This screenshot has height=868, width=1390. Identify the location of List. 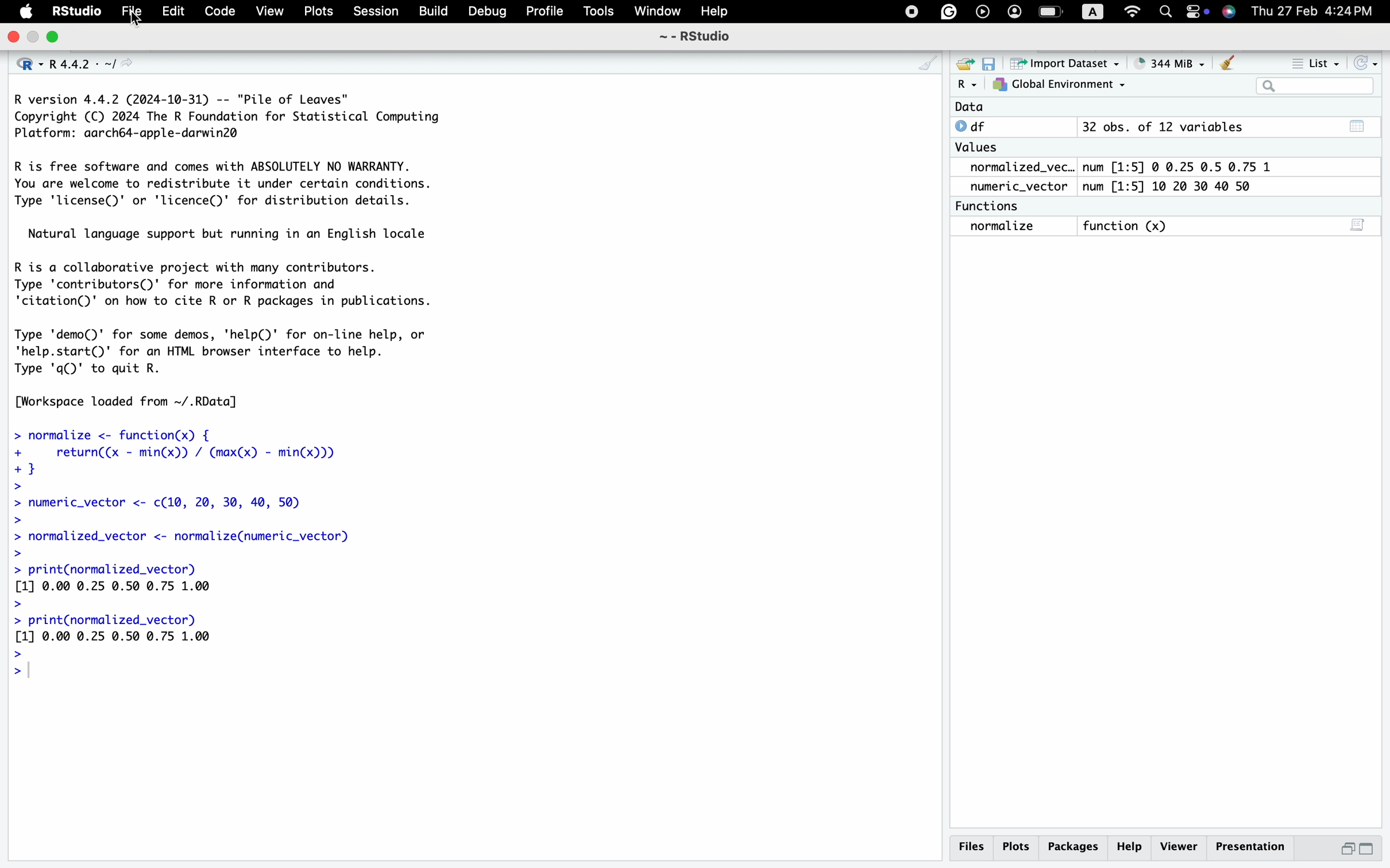
(1315, 63).